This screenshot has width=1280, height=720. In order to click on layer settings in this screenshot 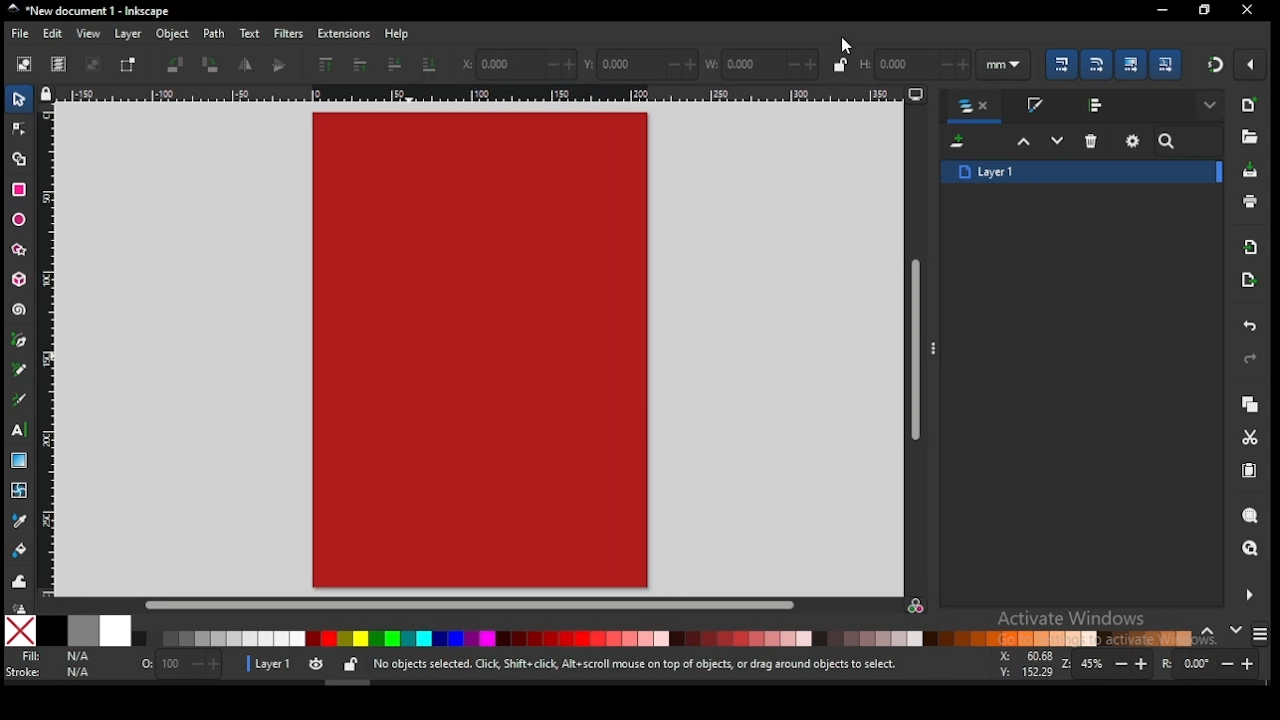, I will do `click(304, 665)`.